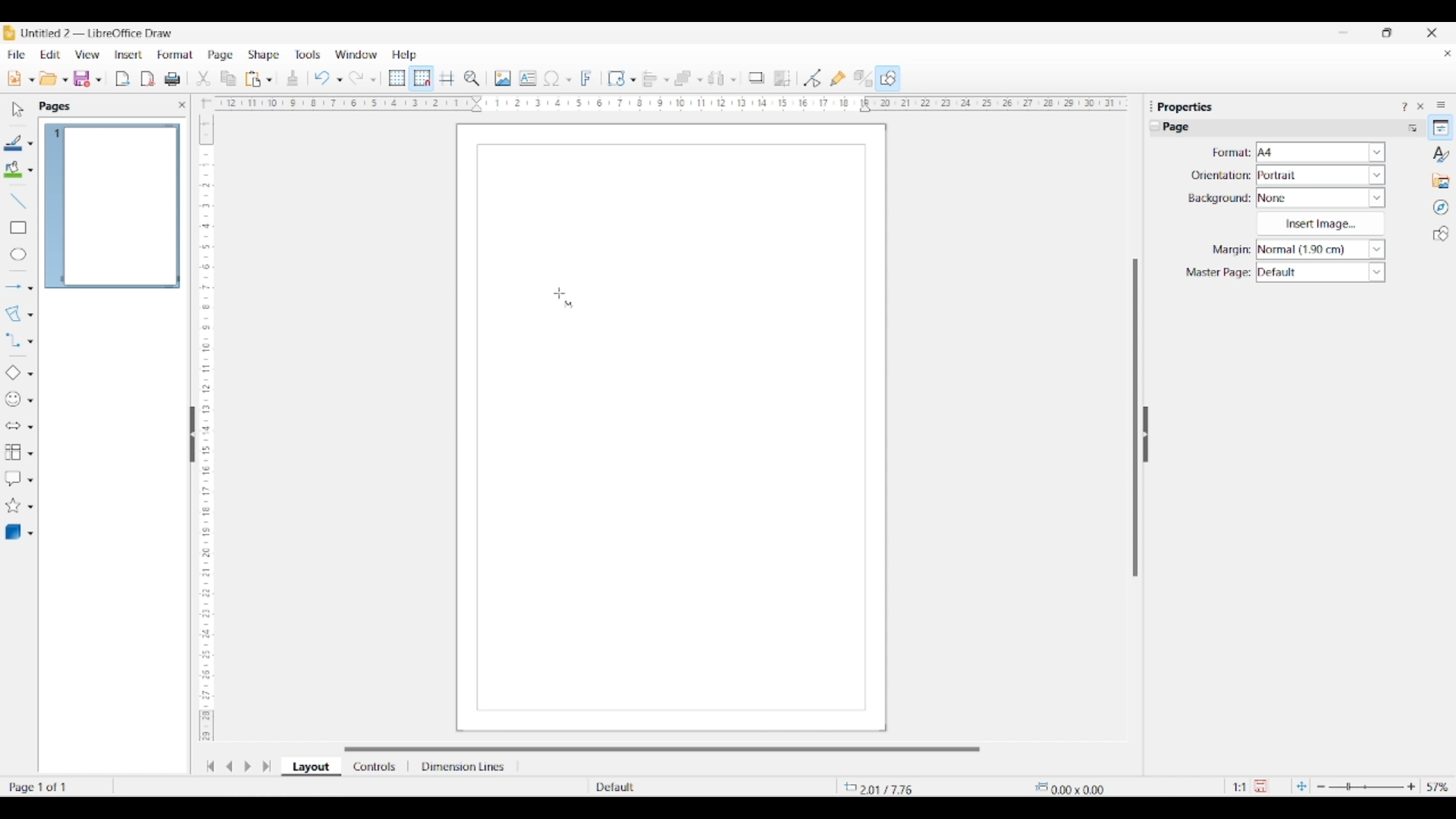 The width and height of the screenshot is (1456, 819). Describe the element at coordinates (616, 78) in the screenshot. I see `Selected transformation` at that location.